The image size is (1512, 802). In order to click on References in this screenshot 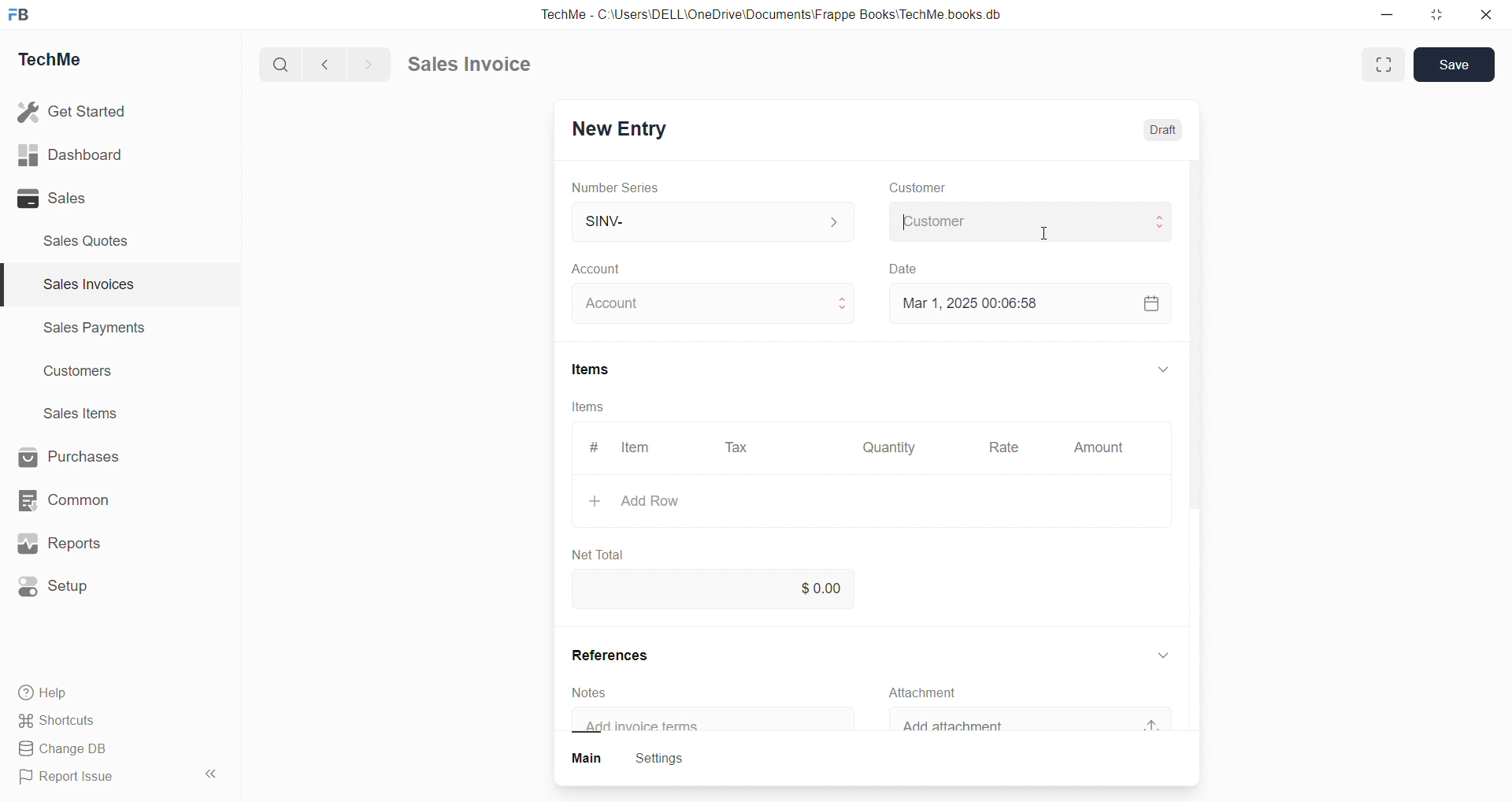, I will do `click(627, 655)`.